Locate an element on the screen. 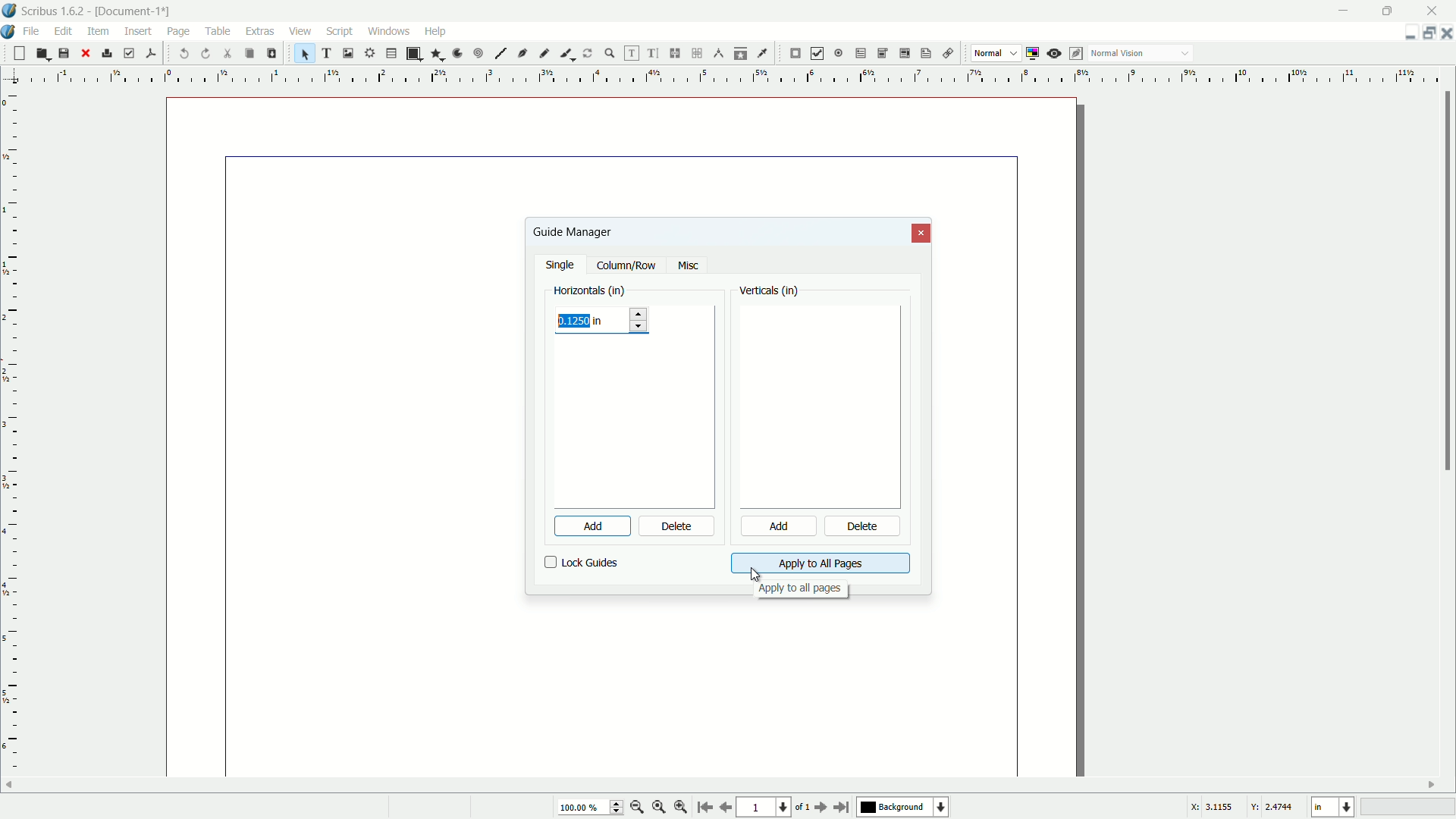  rotate item is located at coordinates (588, 53).